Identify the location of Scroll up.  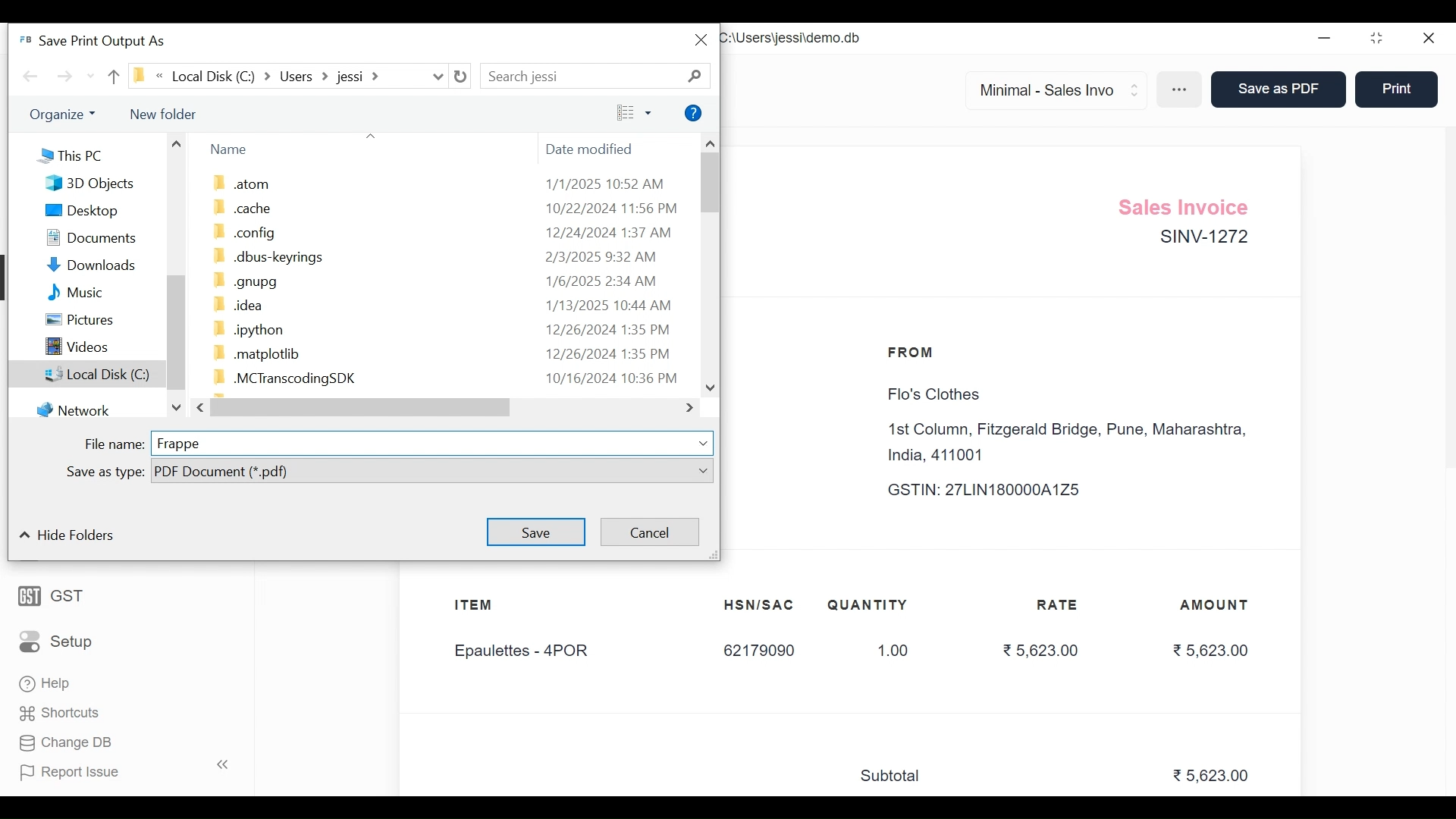
(175, 142).